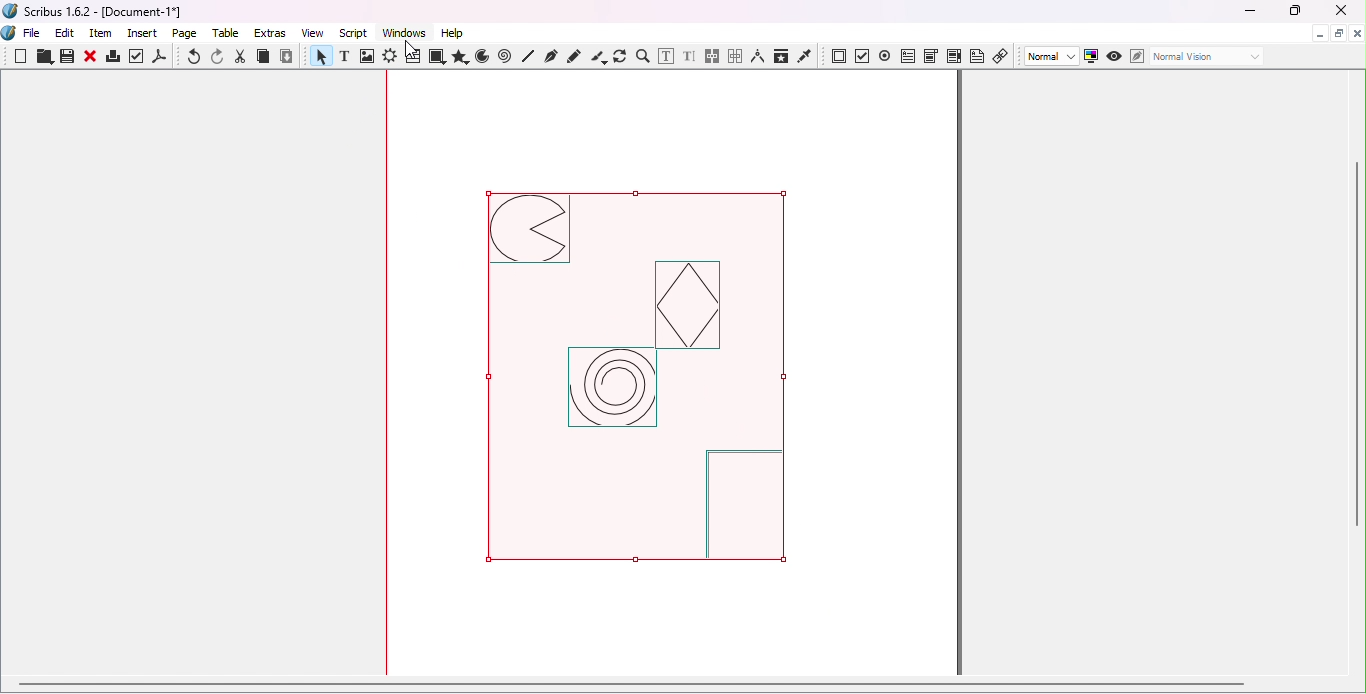 The height and width of the screenshot is (694, 1366). I want to click on Cut, so click(241, 57).